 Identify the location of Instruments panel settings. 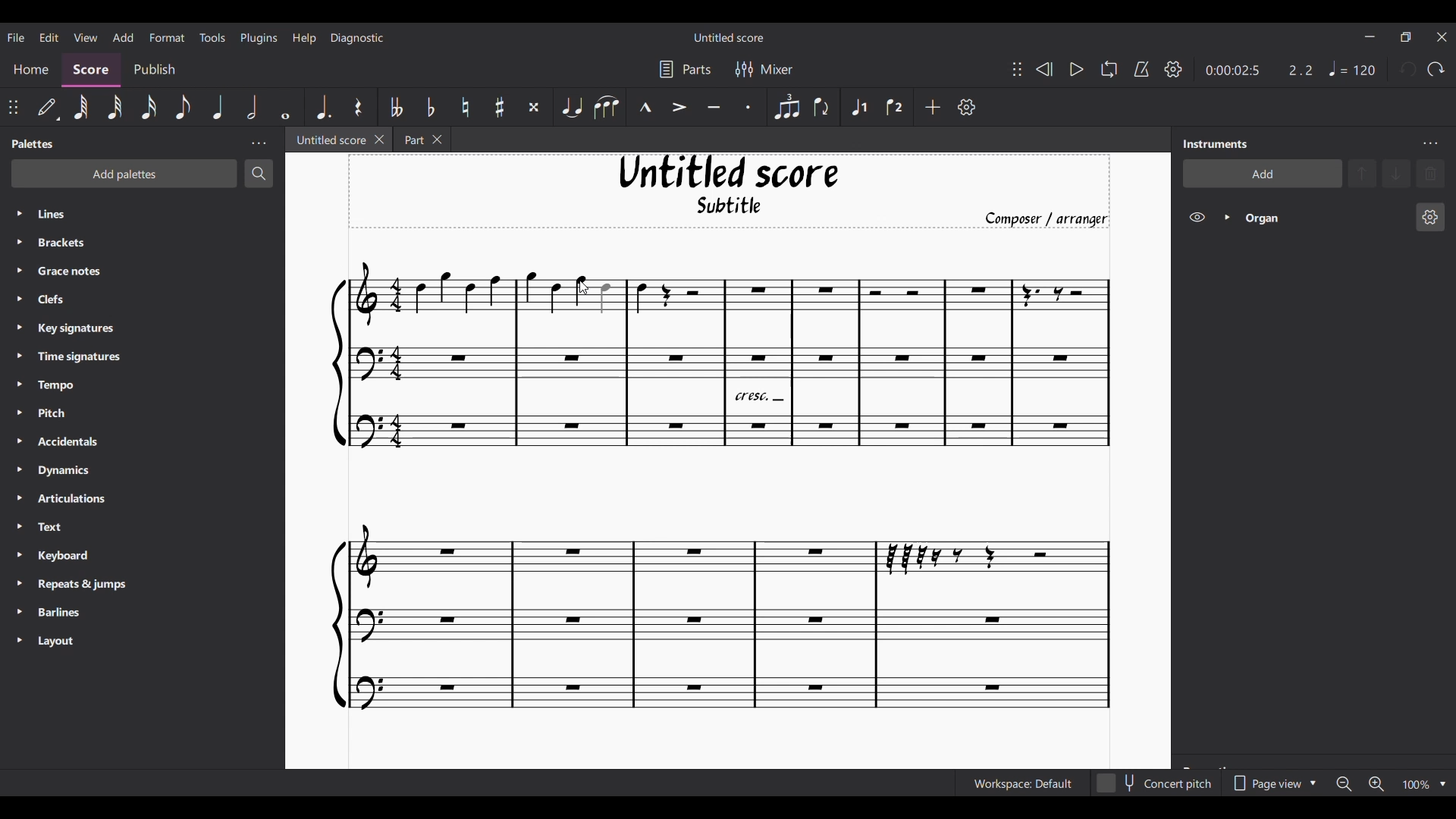
(1430, 144).